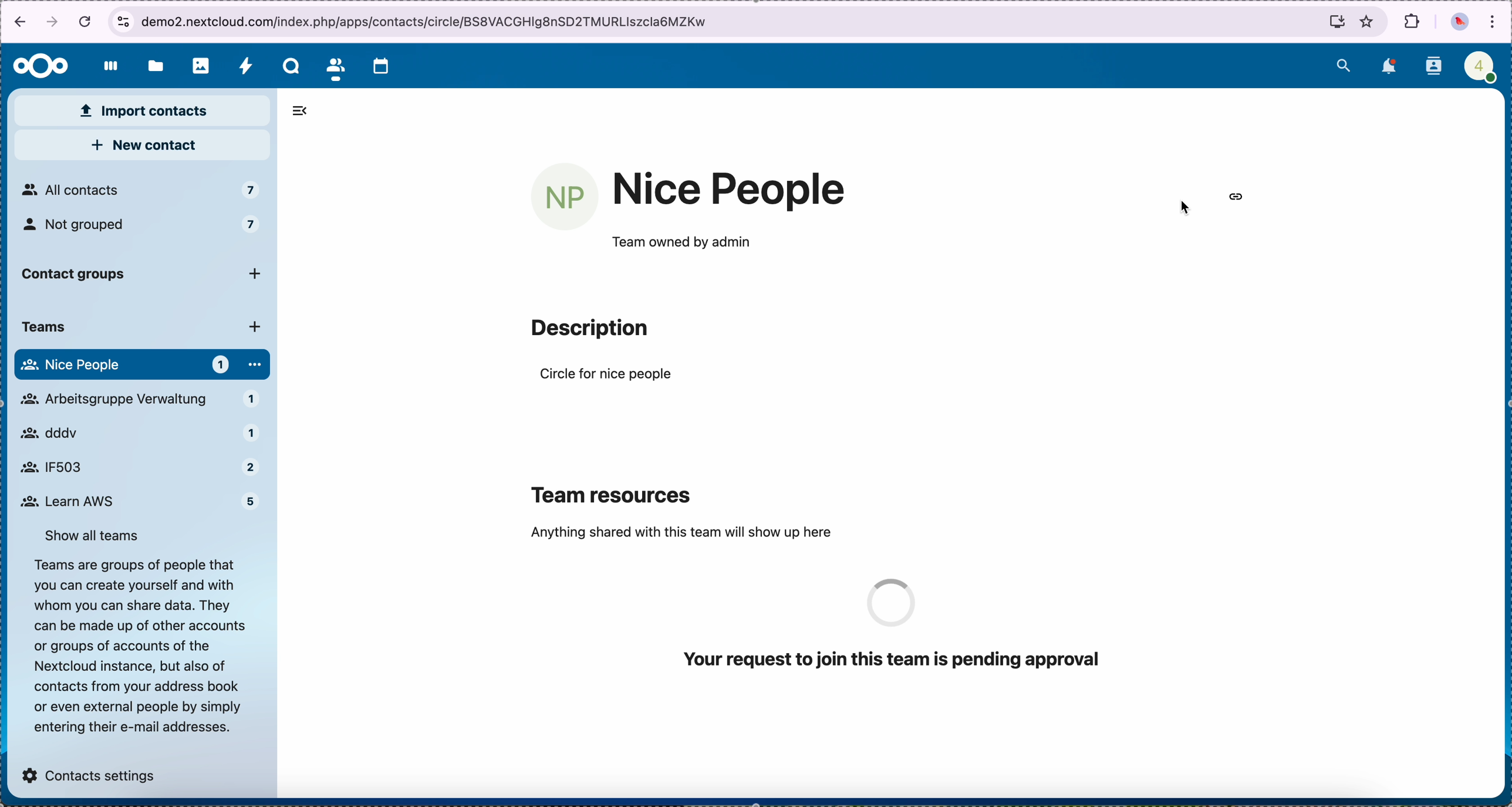 This screenshot has width=1512, height=807. I want to click on hide sidebar, so click(306, 111).